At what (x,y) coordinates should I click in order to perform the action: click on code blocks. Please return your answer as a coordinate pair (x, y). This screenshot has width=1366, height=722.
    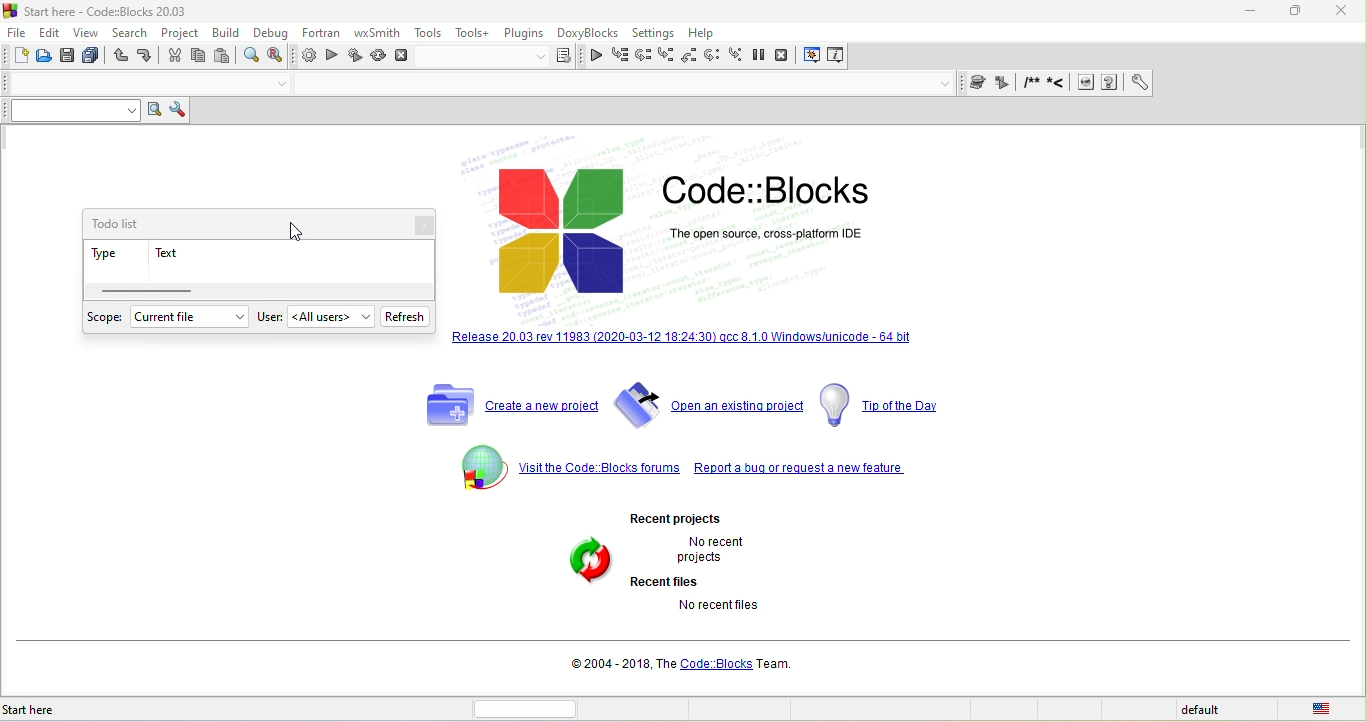
    Looking at the image, I should click on (771, 190).